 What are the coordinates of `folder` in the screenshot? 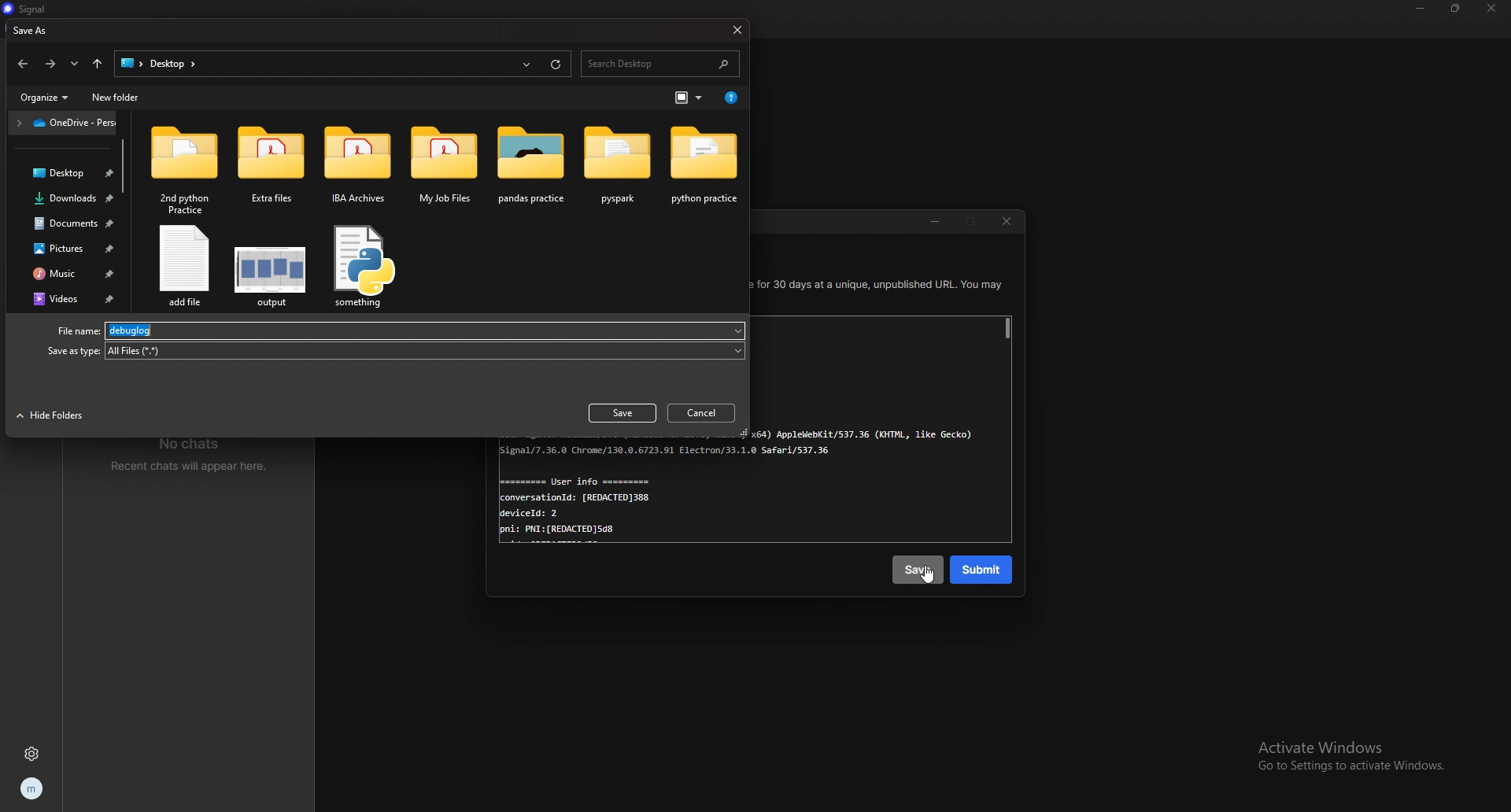 It's located at (533, 164).